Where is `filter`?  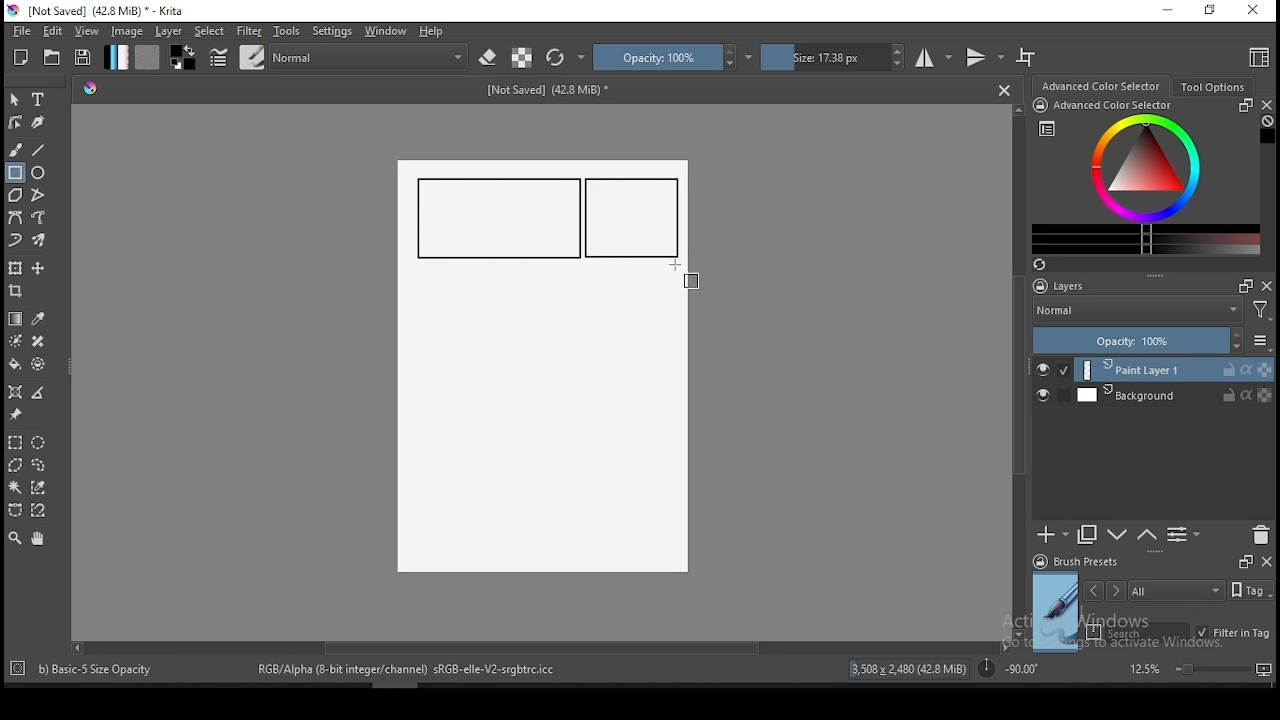
filter is located at coordinates (248, 31).